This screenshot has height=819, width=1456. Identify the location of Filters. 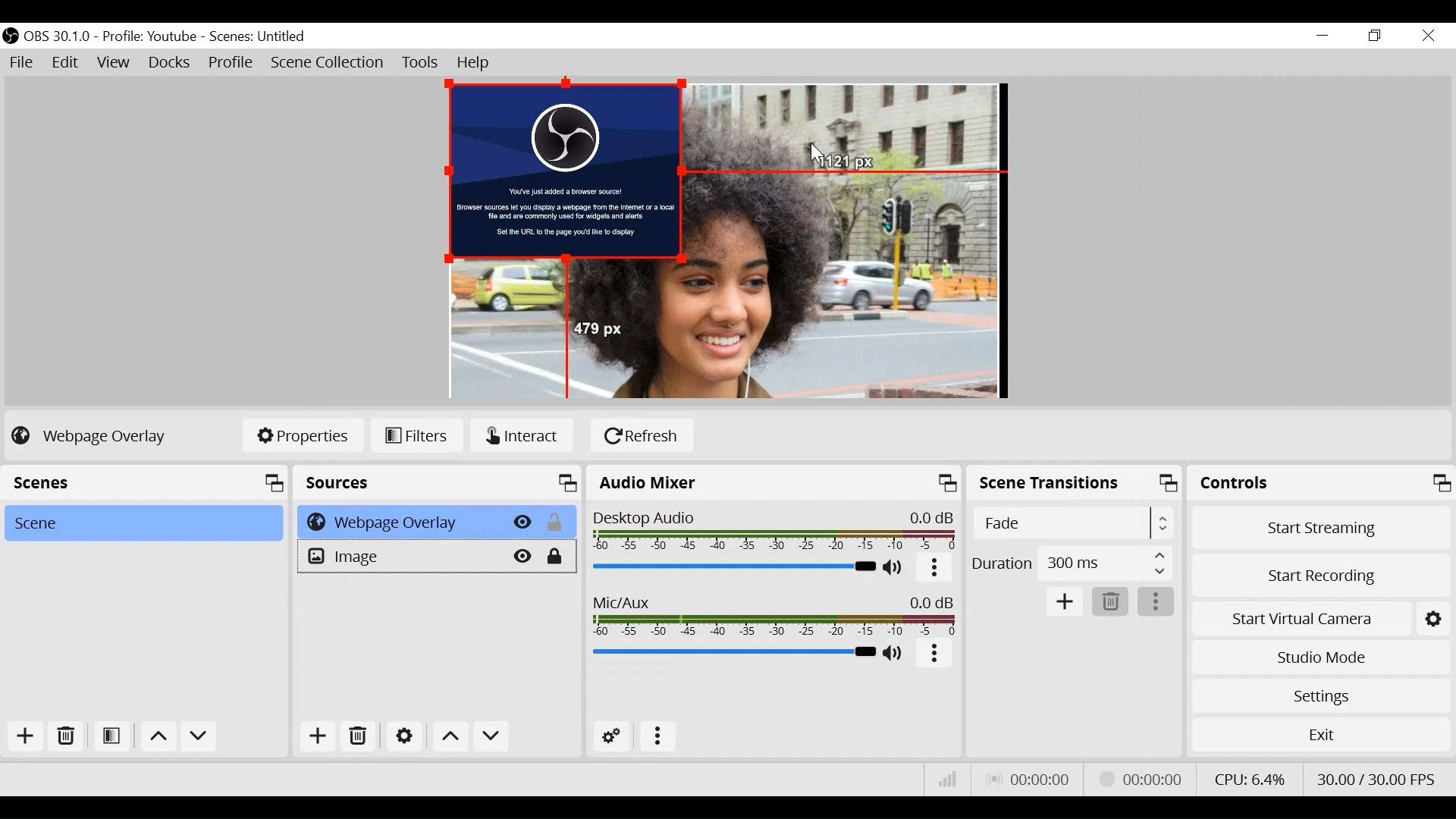
(417, 435).